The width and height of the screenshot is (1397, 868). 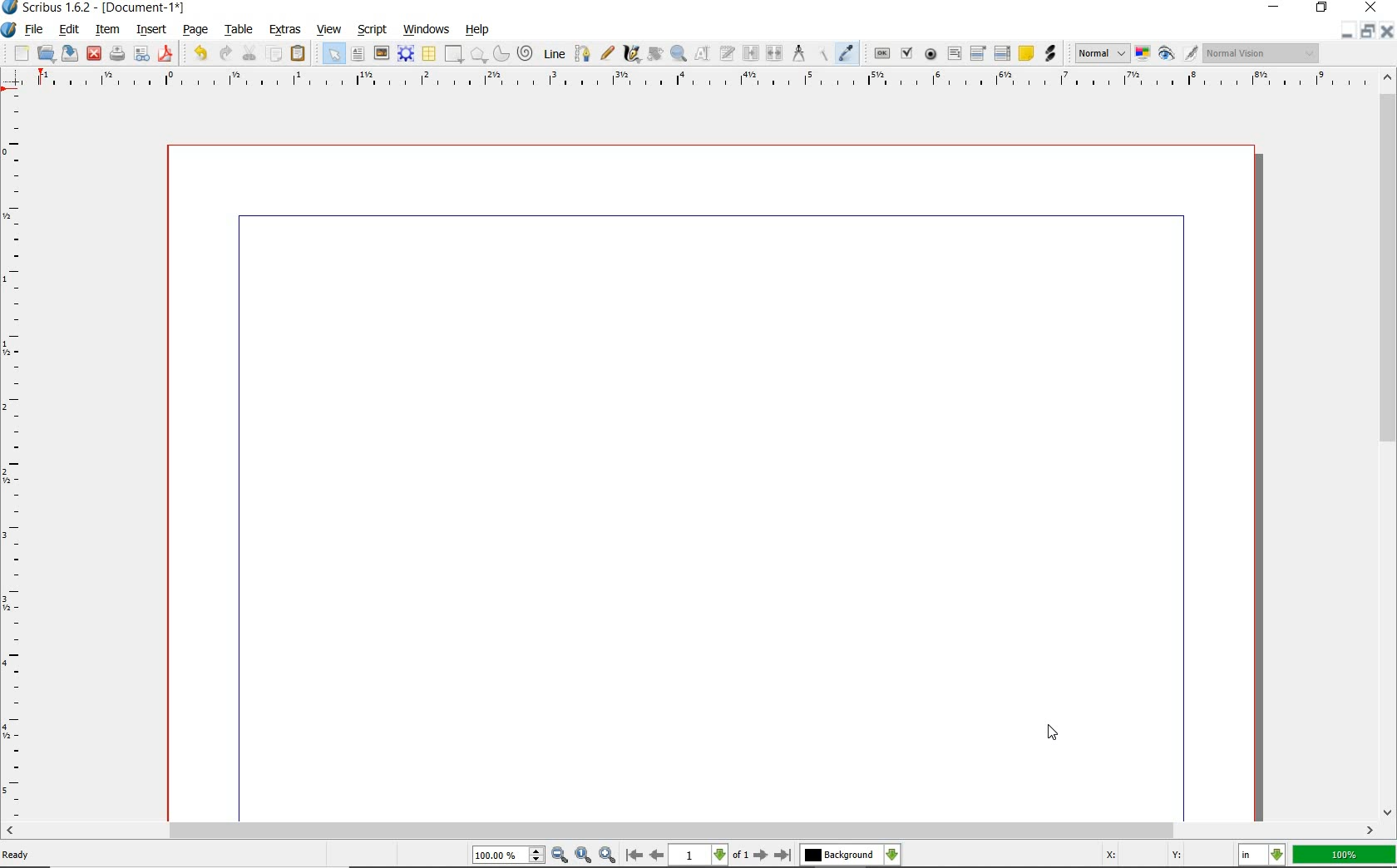 What do you see at coordinates (679, 55) in the screenshot?
I see `zoom in or zoom out` at bounding box center [679, 55].